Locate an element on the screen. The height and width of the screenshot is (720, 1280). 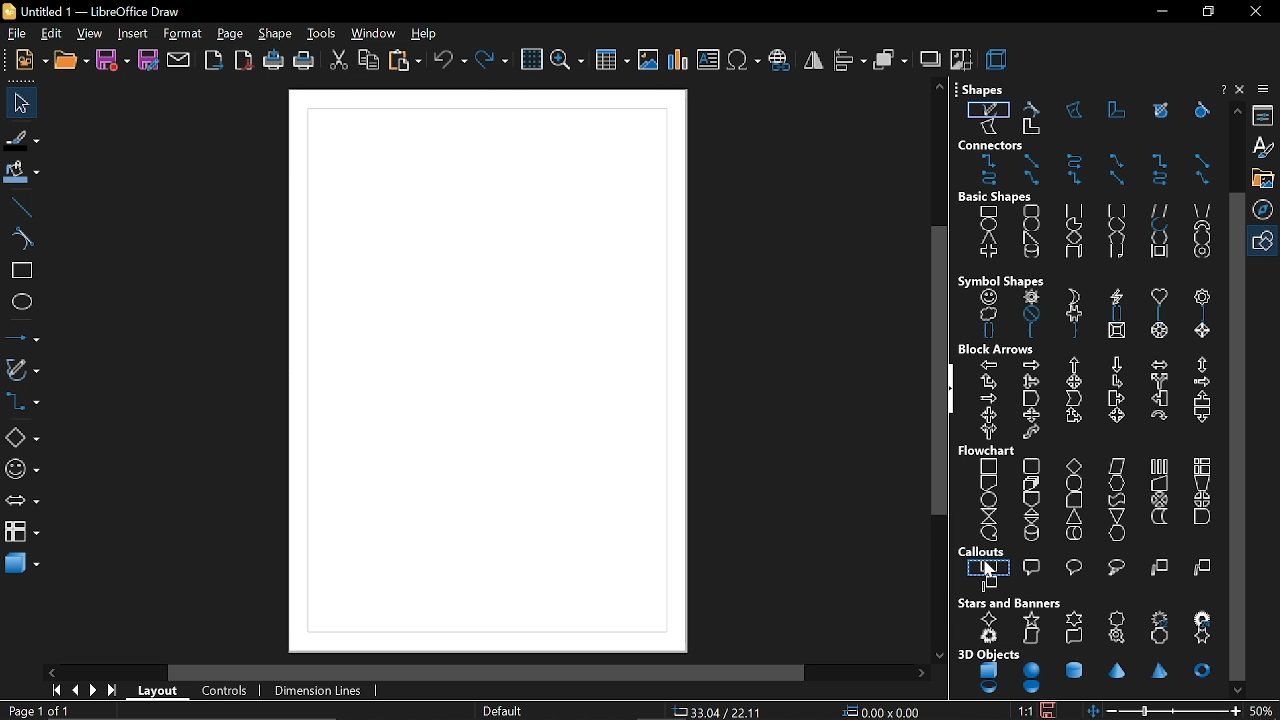
page style is located at coordinates (504, 712).